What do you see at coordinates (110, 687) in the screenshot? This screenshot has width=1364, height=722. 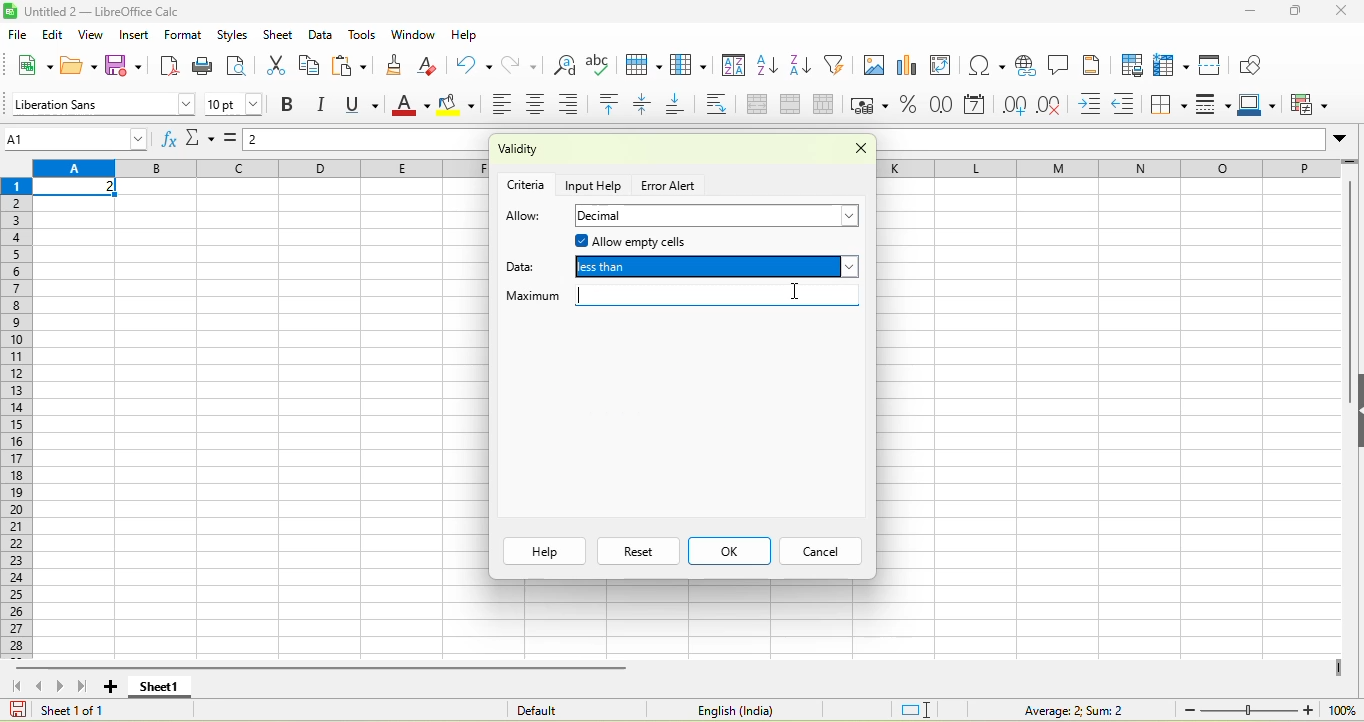 I see `add new sheet` at bounding box center [110, 687].